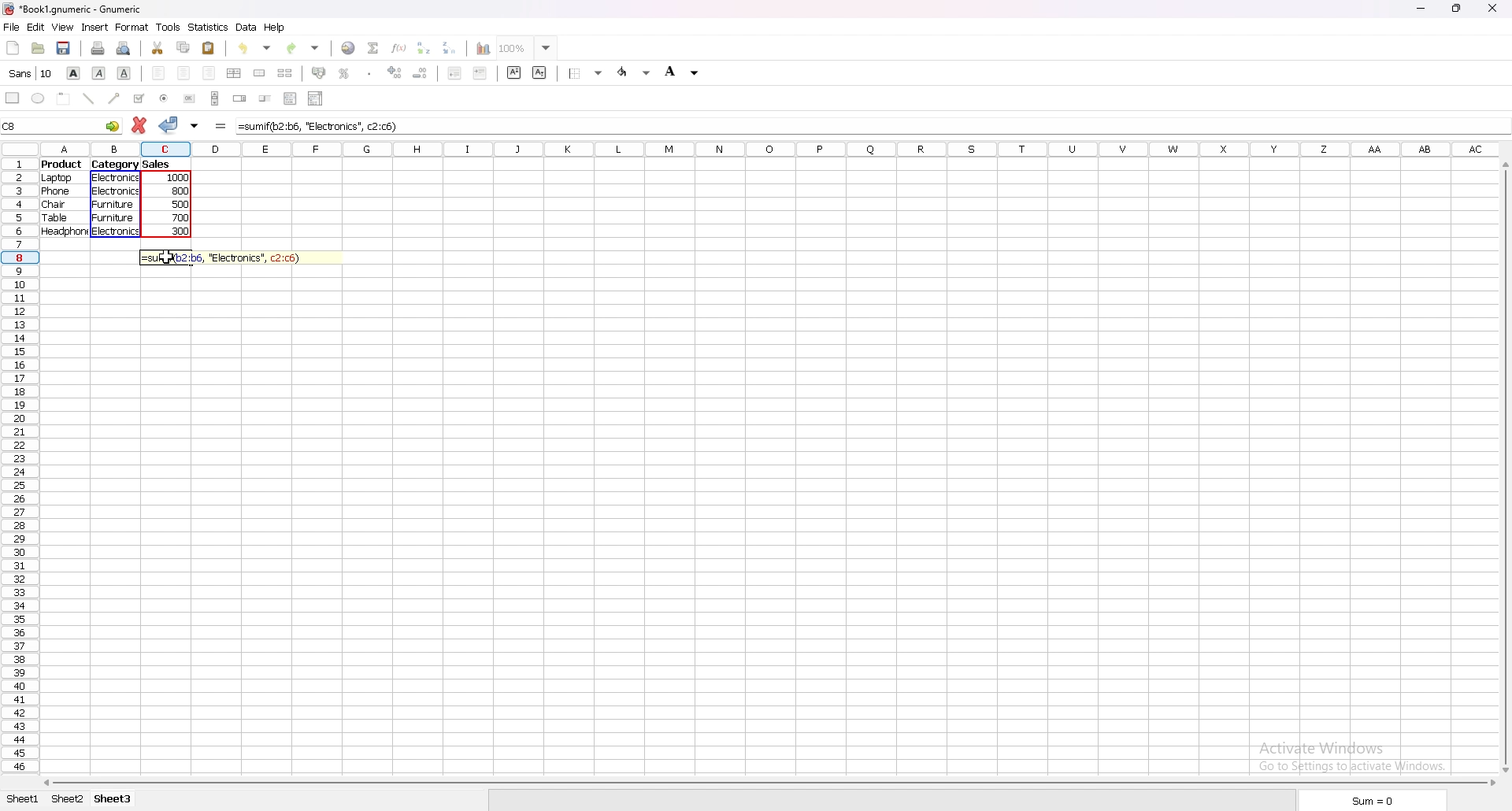 Image resolution: width=1512 pixels, height=811 pixels. Describe the element at coordinates (317, 98) in the screenshot. I see `combo box` at that location.